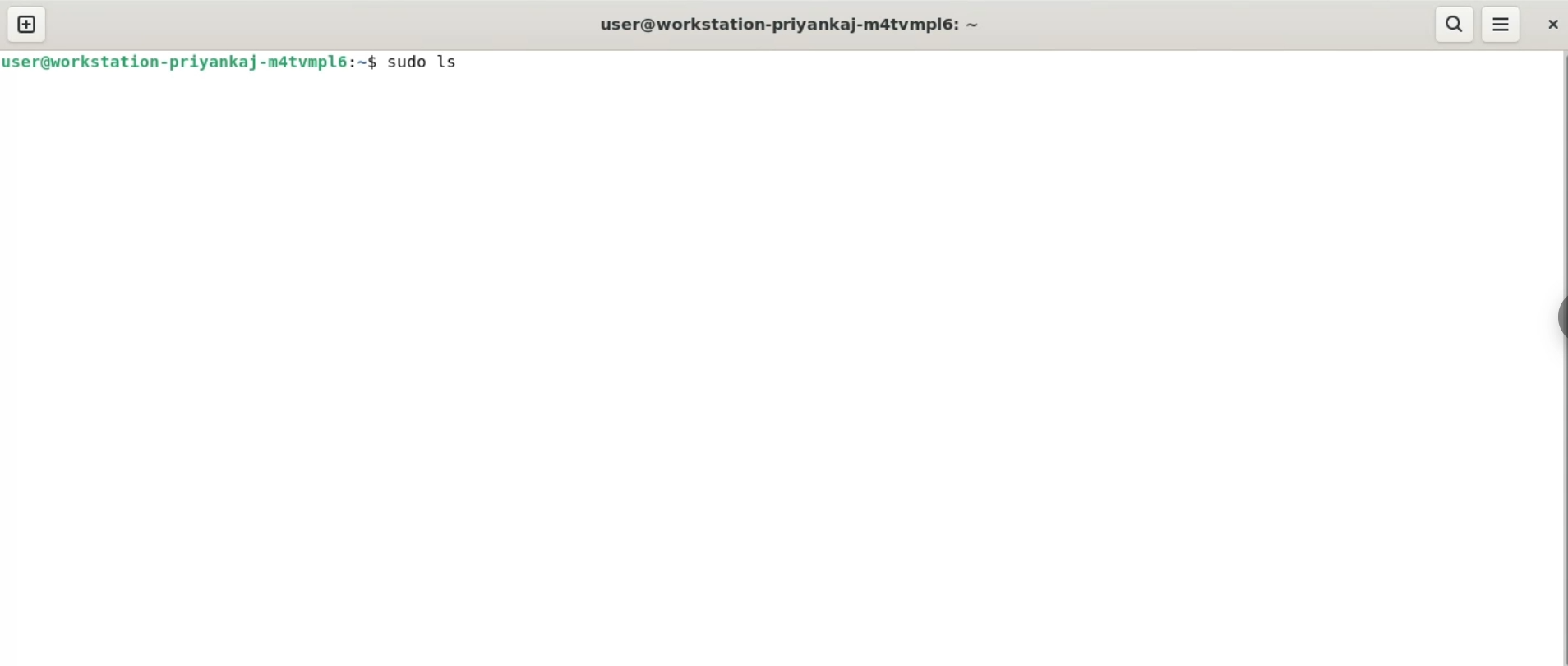  I want to click on sidebar, so click(1553, 317).